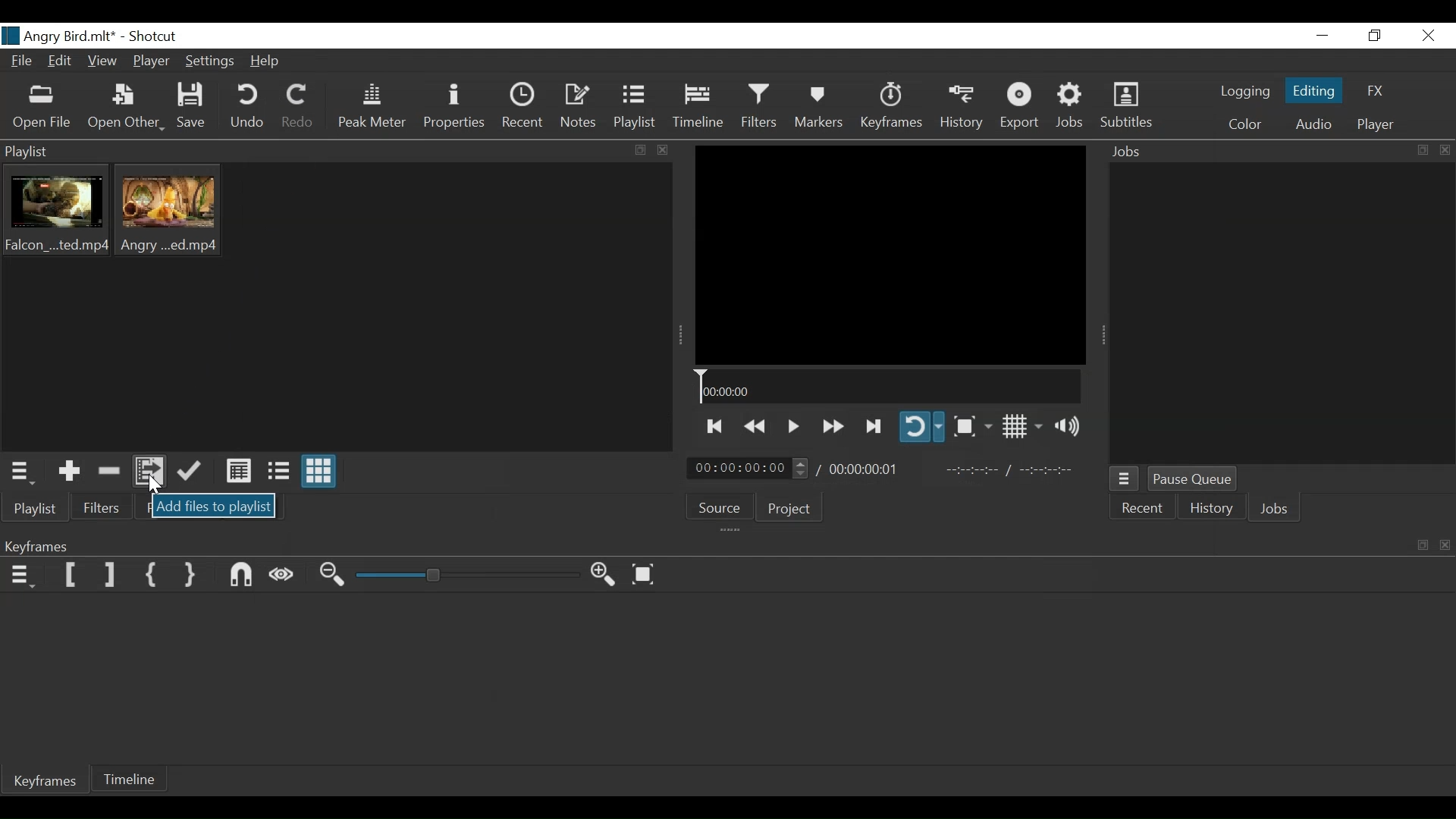  Describe the element at coordinates (1023, 425) in the screenshot. I see `Show display grid on player` at that location.